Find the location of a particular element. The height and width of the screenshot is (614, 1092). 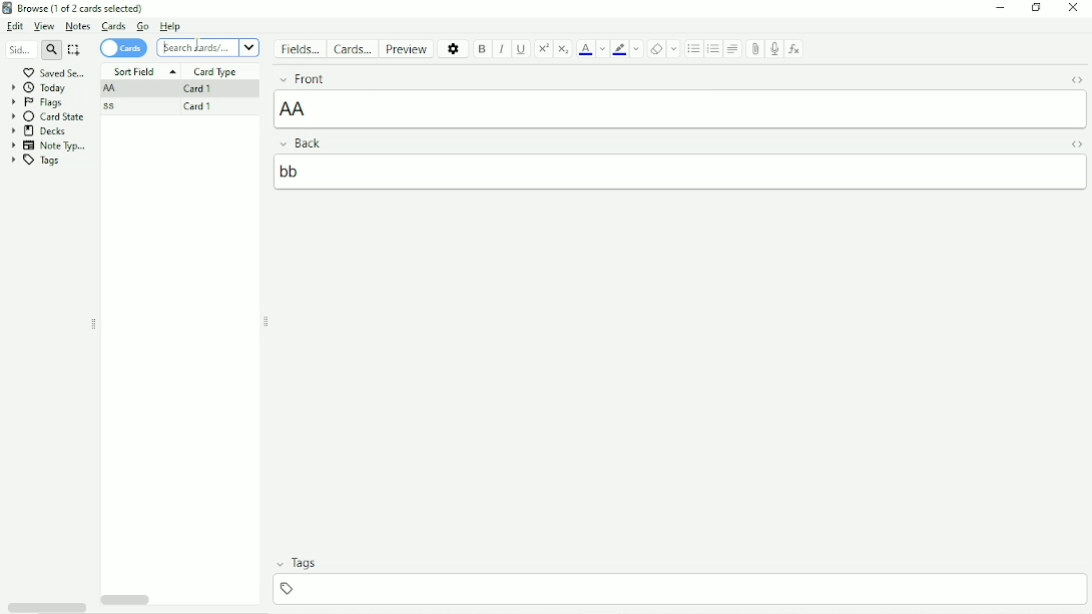

Card 1 is located at coordinates (195, 89).